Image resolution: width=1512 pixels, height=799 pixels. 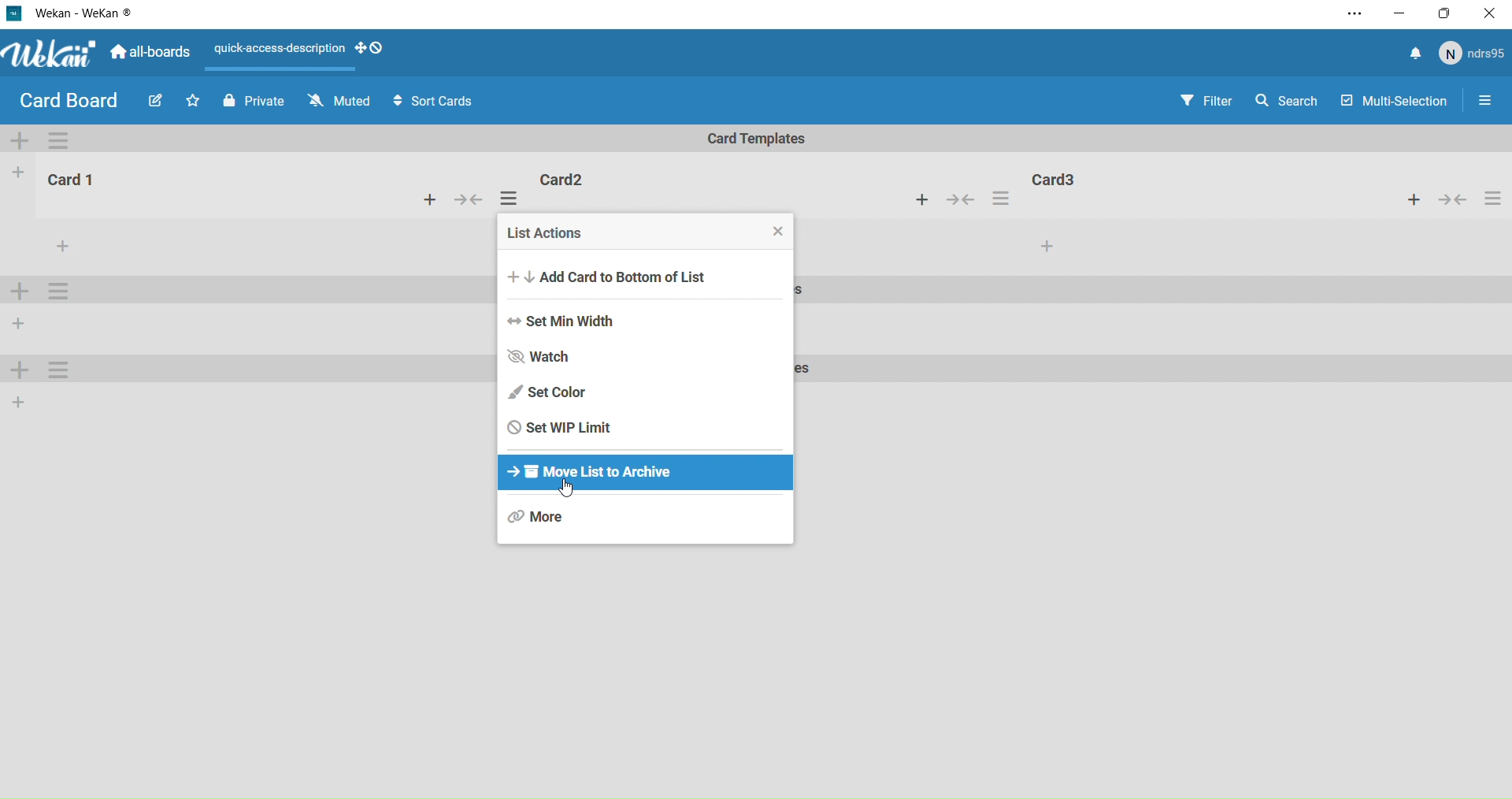 What do you see at coordinates (438, 103) in the screenshot?
I see `Sort Cards` at bounding box center [438, 103].